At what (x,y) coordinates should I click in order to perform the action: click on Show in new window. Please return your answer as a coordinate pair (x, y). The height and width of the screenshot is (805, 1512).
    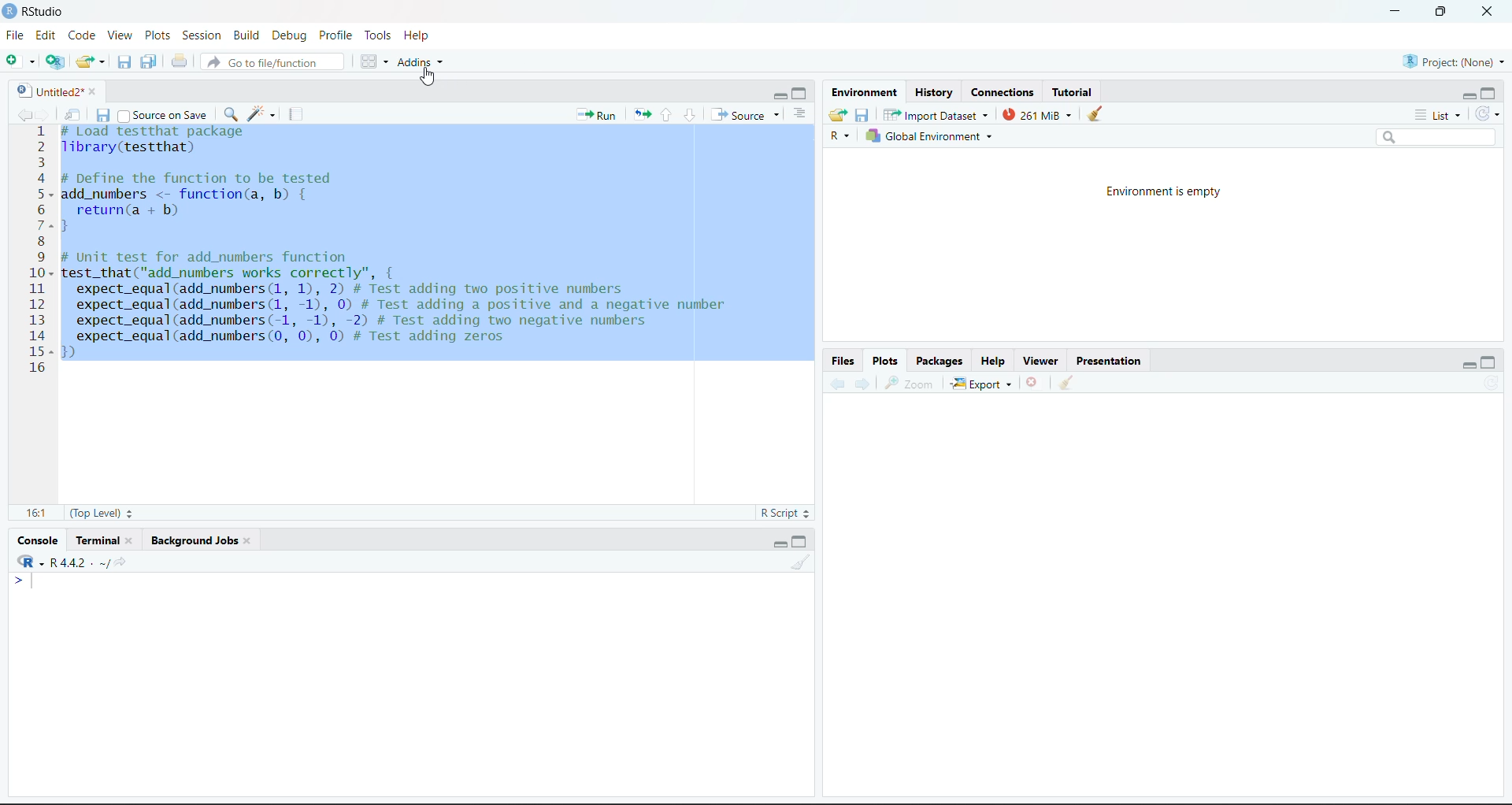
    Looking at the image, I should click on (73, 115).